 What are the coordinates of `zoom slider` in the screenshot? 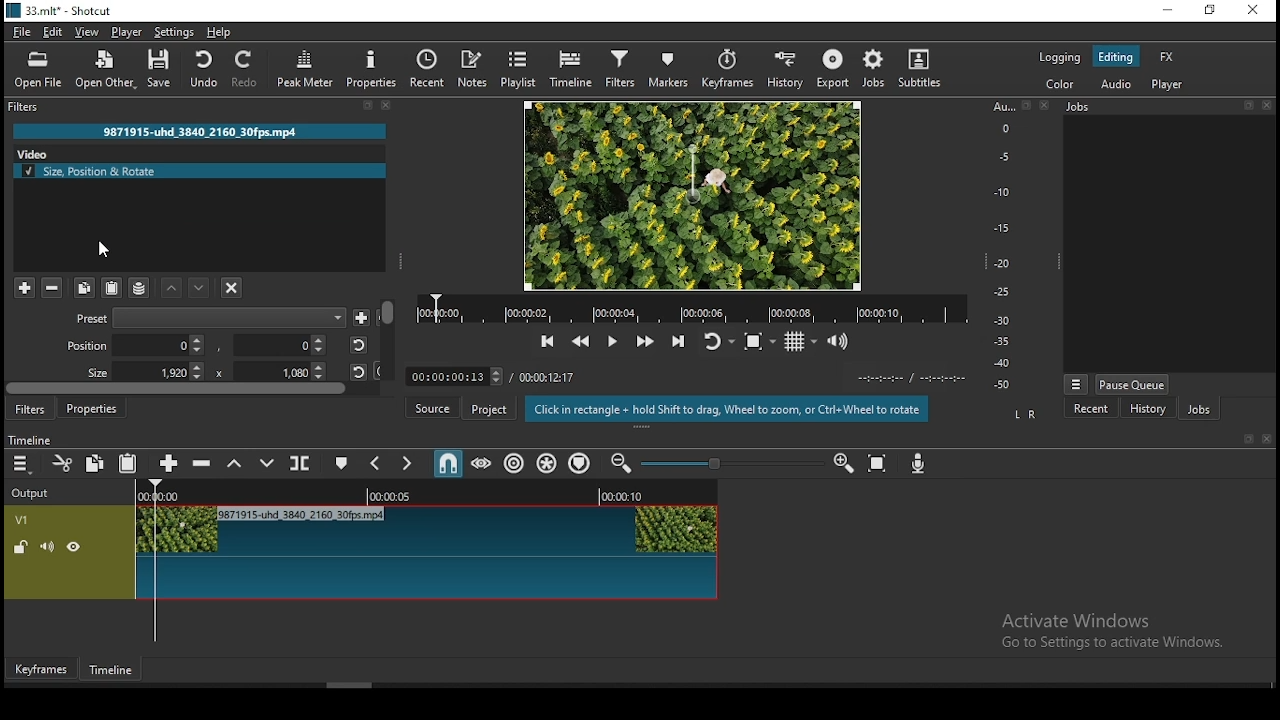 It's located at (731, 463).